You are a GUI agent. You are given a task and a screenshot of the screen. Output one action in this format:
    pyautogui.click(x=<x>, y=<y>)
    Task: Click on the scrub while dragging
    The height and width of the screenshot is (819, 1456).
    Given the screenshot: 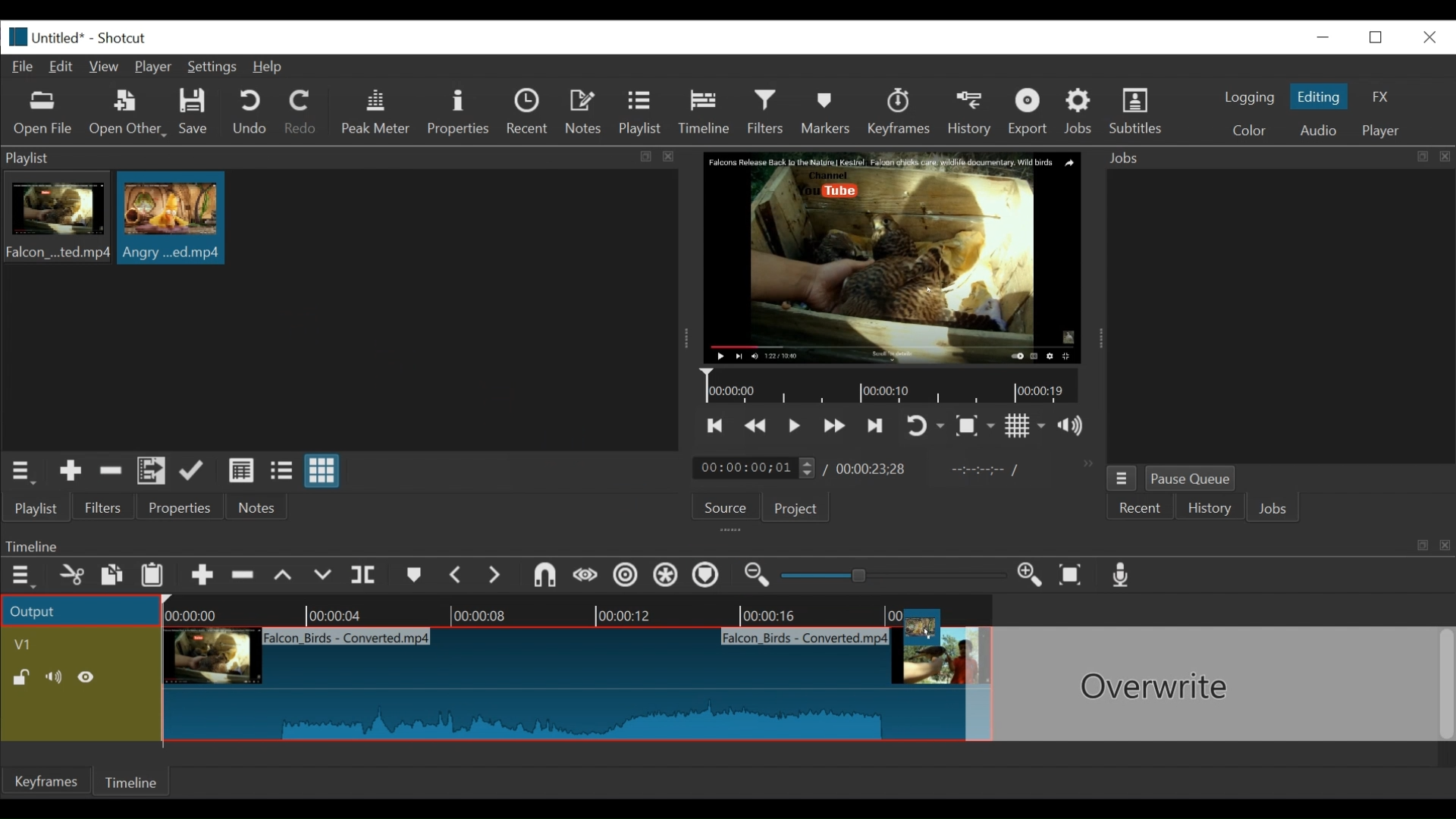 What is the action you would take?
    pyautogui.click(x=586, y=576)
    